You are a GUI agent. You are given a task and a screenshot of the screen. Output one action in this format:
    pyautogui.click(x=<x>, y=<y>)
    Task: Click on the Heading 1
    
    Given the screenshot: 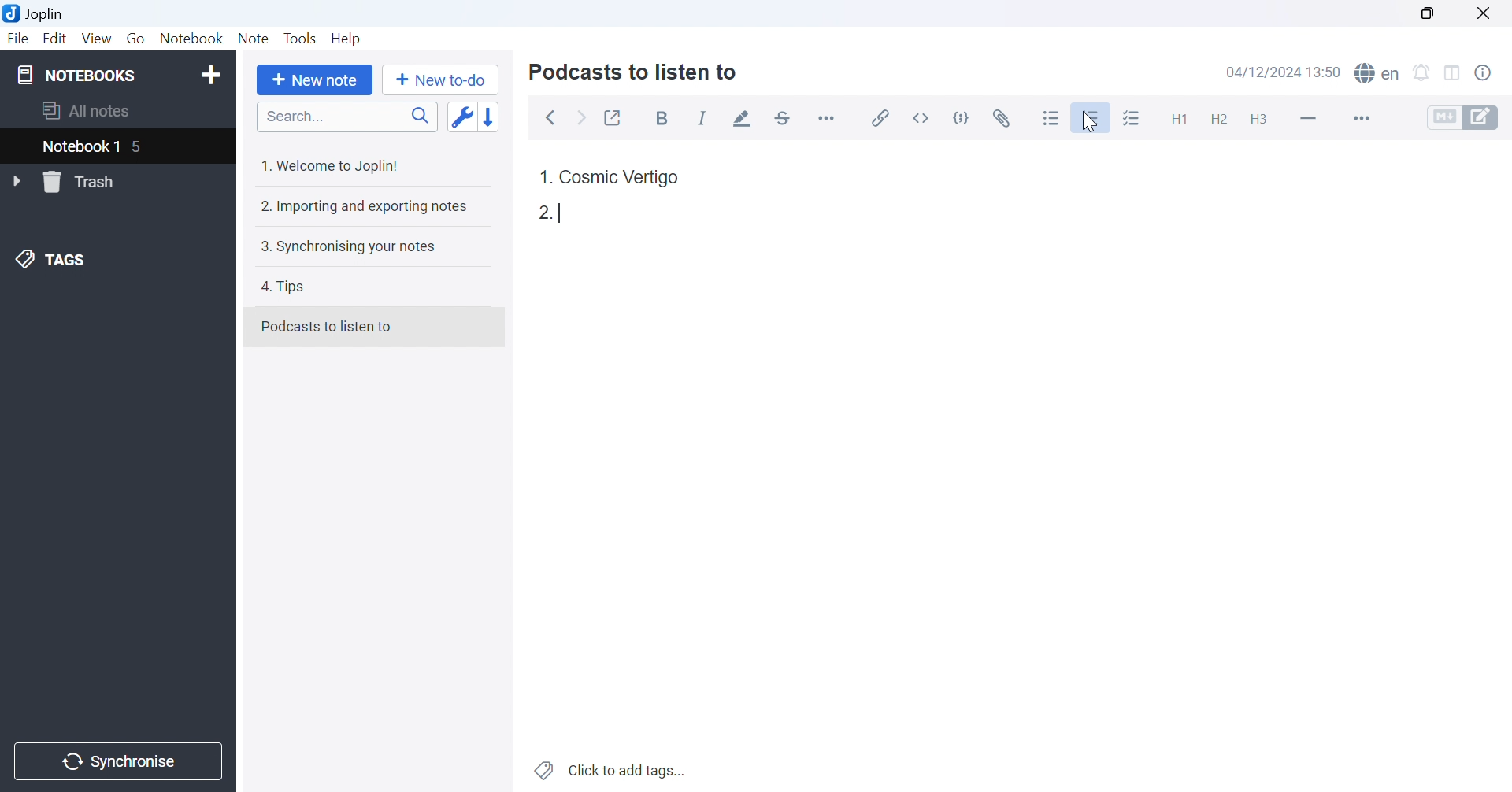 What is the action you would take?
    pyautogui.click(x=1174, y=116)
    